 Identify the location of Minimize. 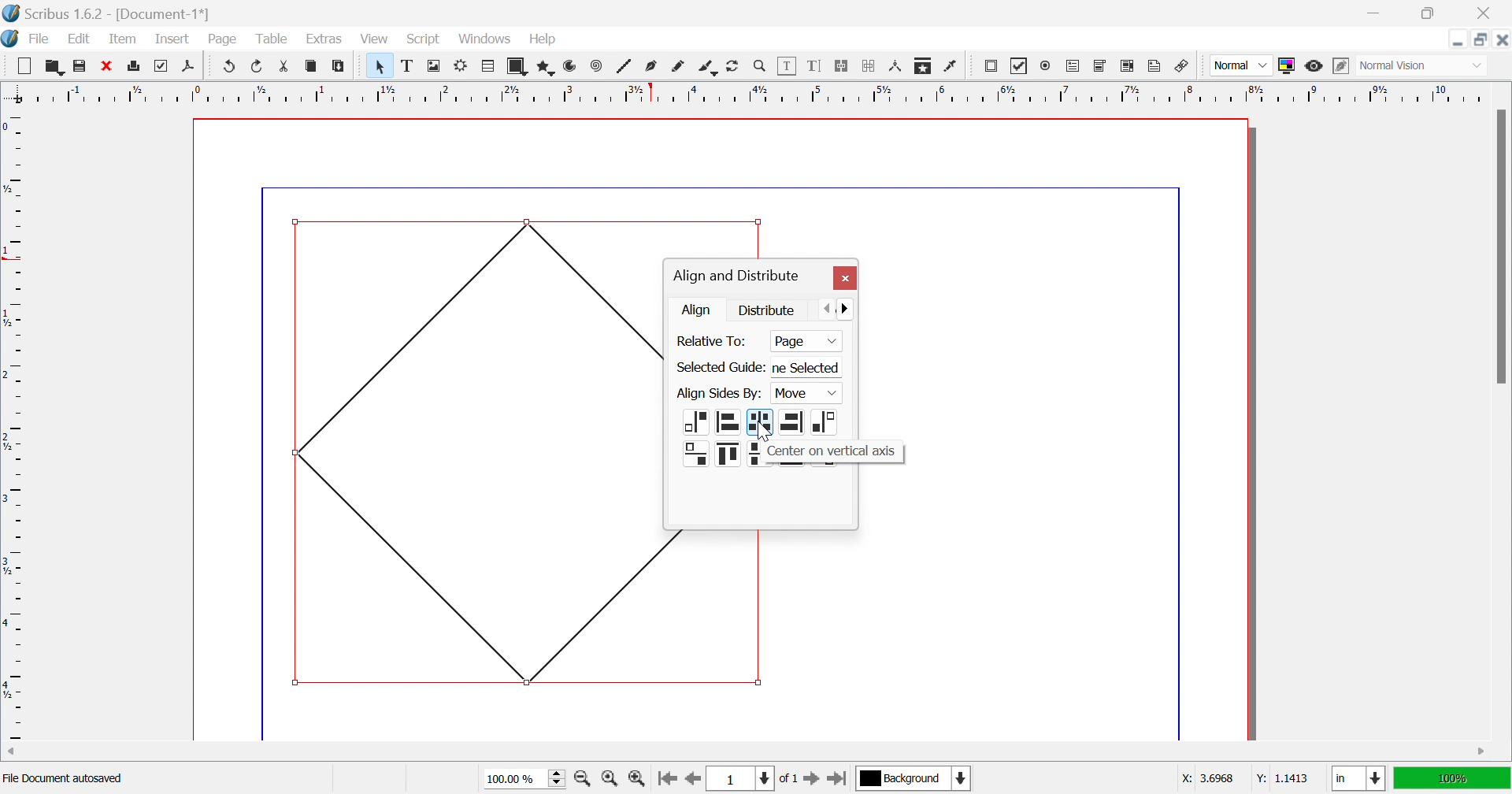
(1377, 13).